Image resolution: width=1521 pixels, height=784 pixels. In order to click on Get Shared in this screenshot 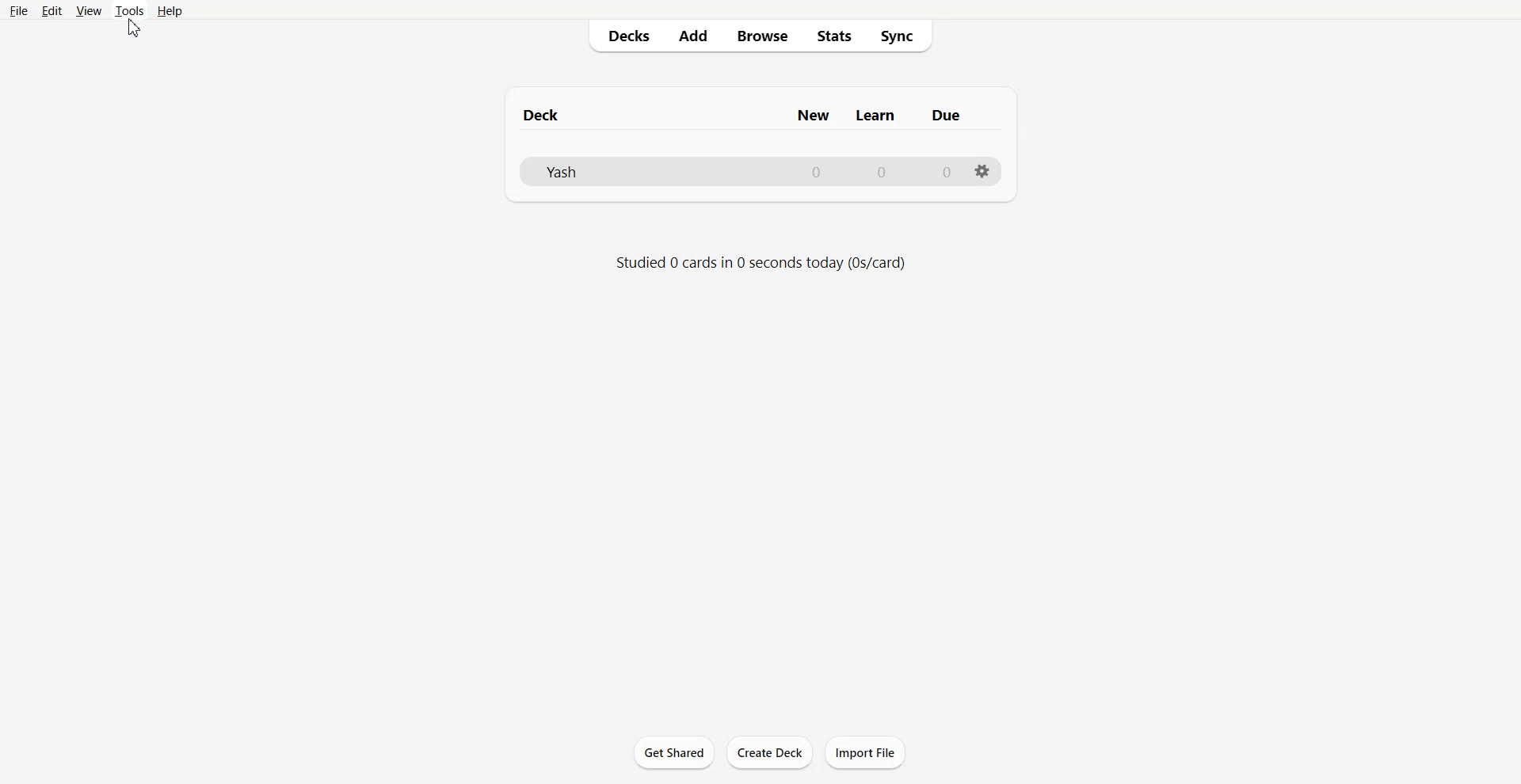, I will do `click(674, 752)`.